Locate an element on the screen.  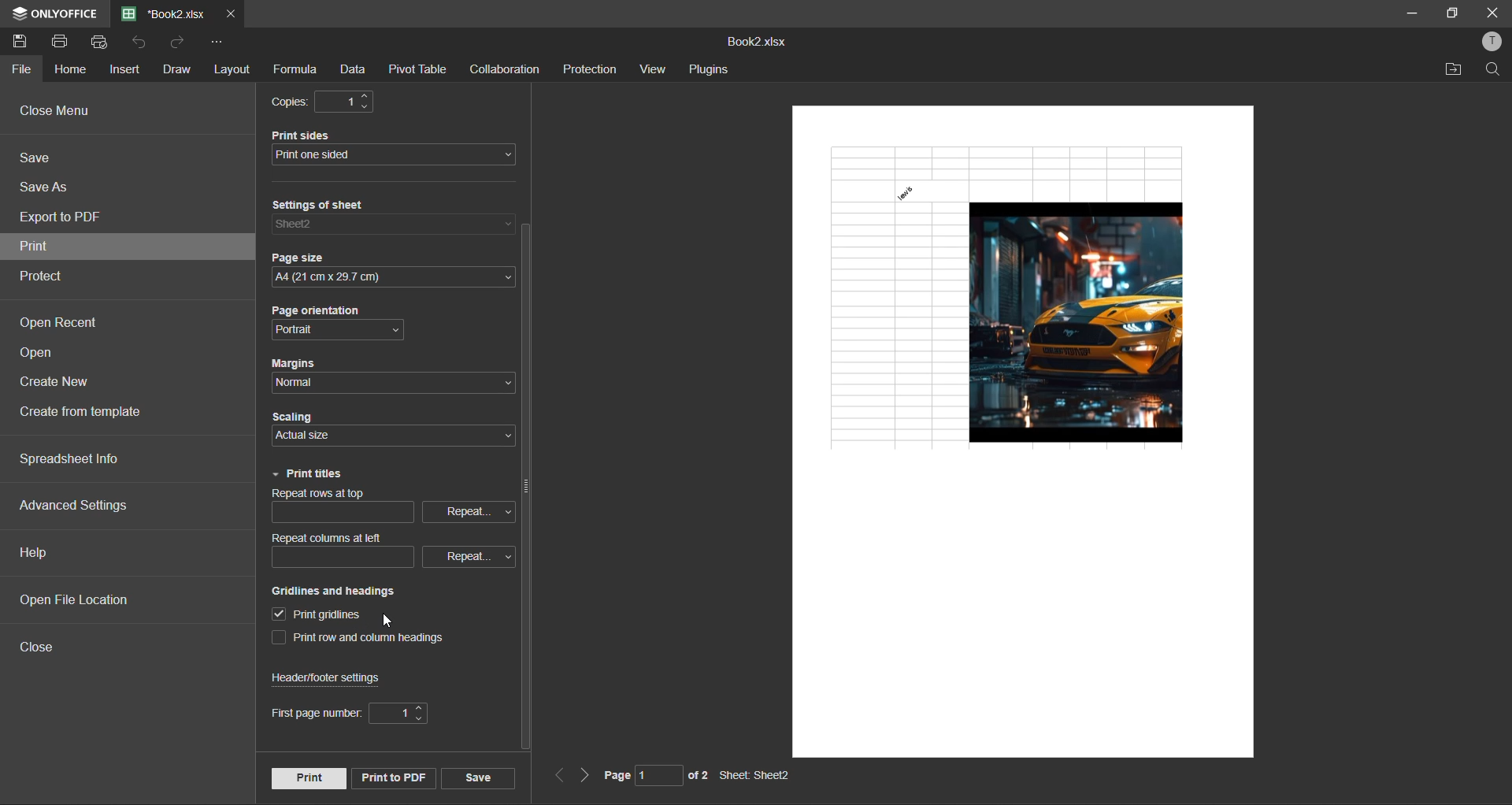
repeat columns at left is located at coordinates (348, 538).